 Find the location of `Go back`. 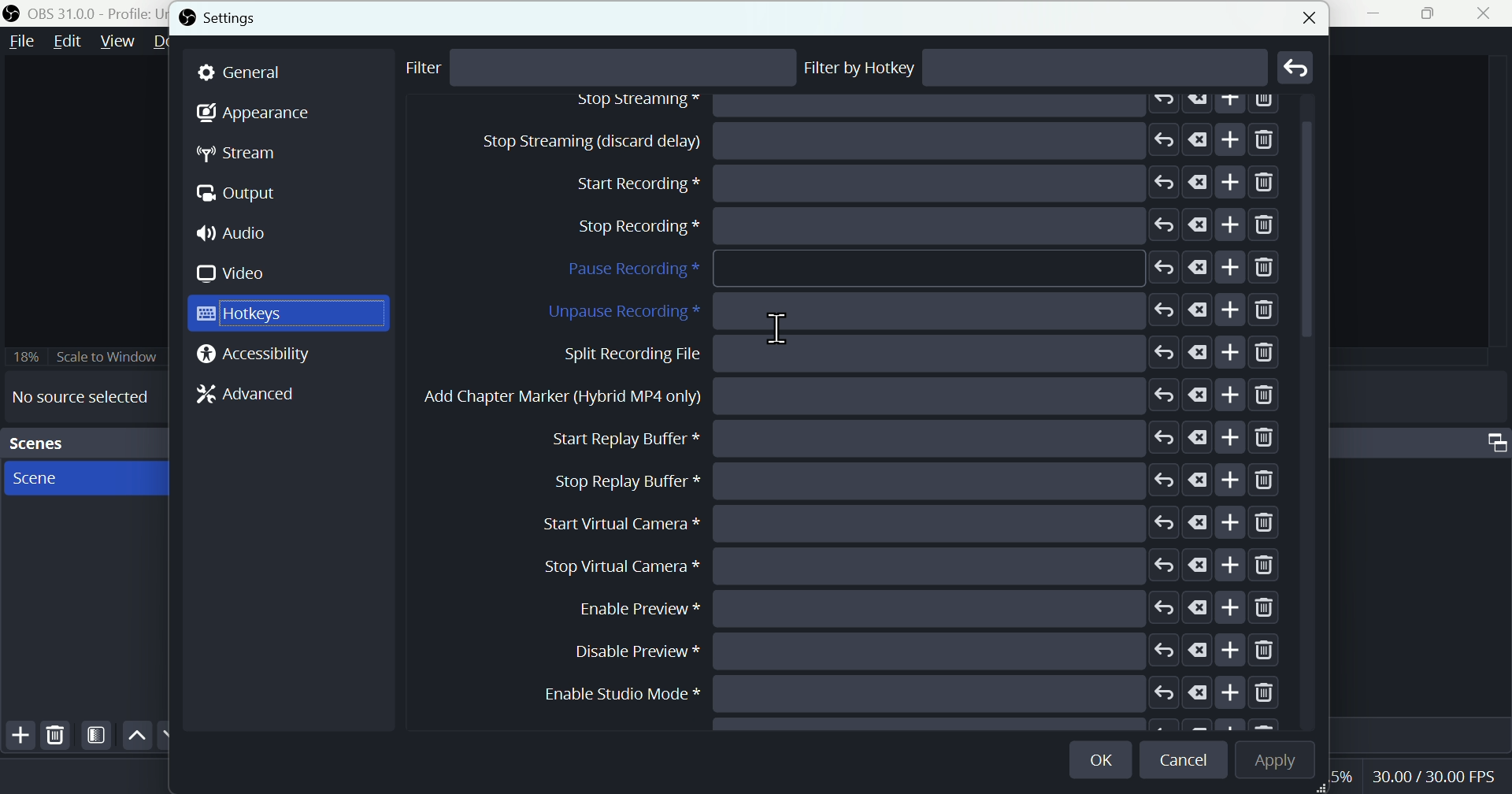

Go back is located at coordinates (1297, 67).